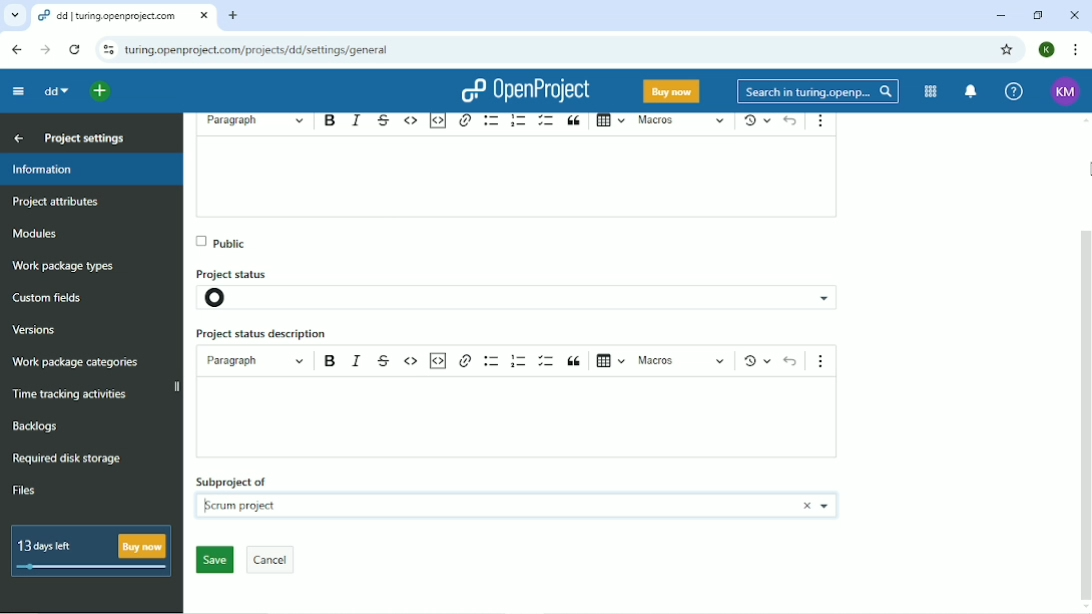 The image size is (1092, 614). Describe the element at coordinates (1007, 50) in the screenshot. I see `Bookmark this tab` at that location.